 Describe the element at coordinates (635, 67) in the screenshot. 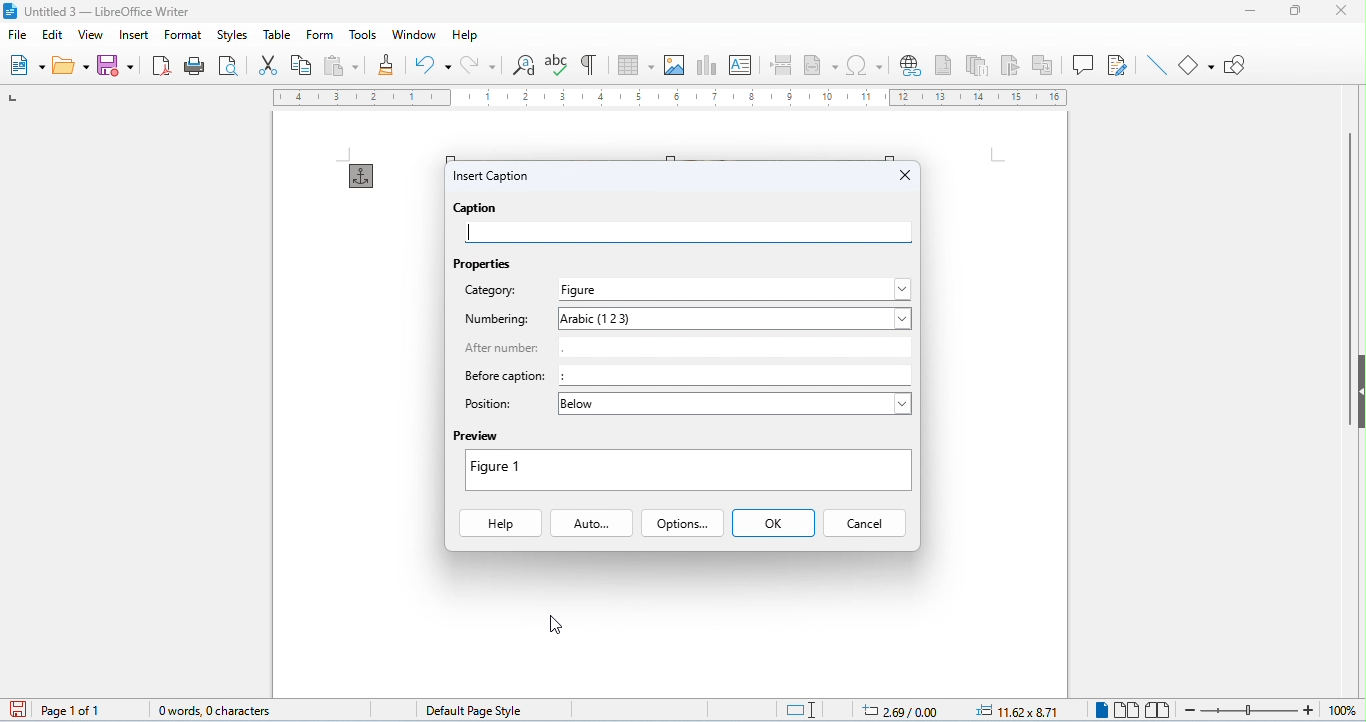

I see `table` at that location.